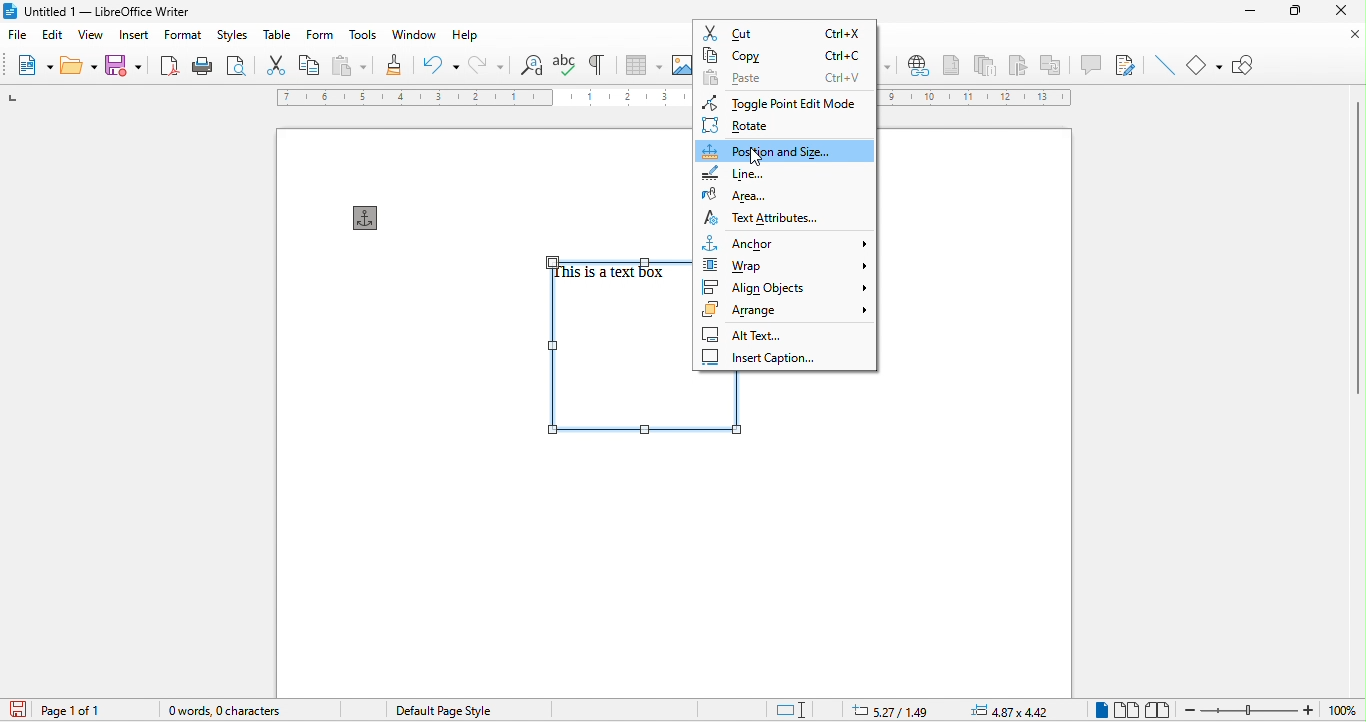  Describe the element at coordinates (276, 37) in the screenshot. I see `table` at that location.